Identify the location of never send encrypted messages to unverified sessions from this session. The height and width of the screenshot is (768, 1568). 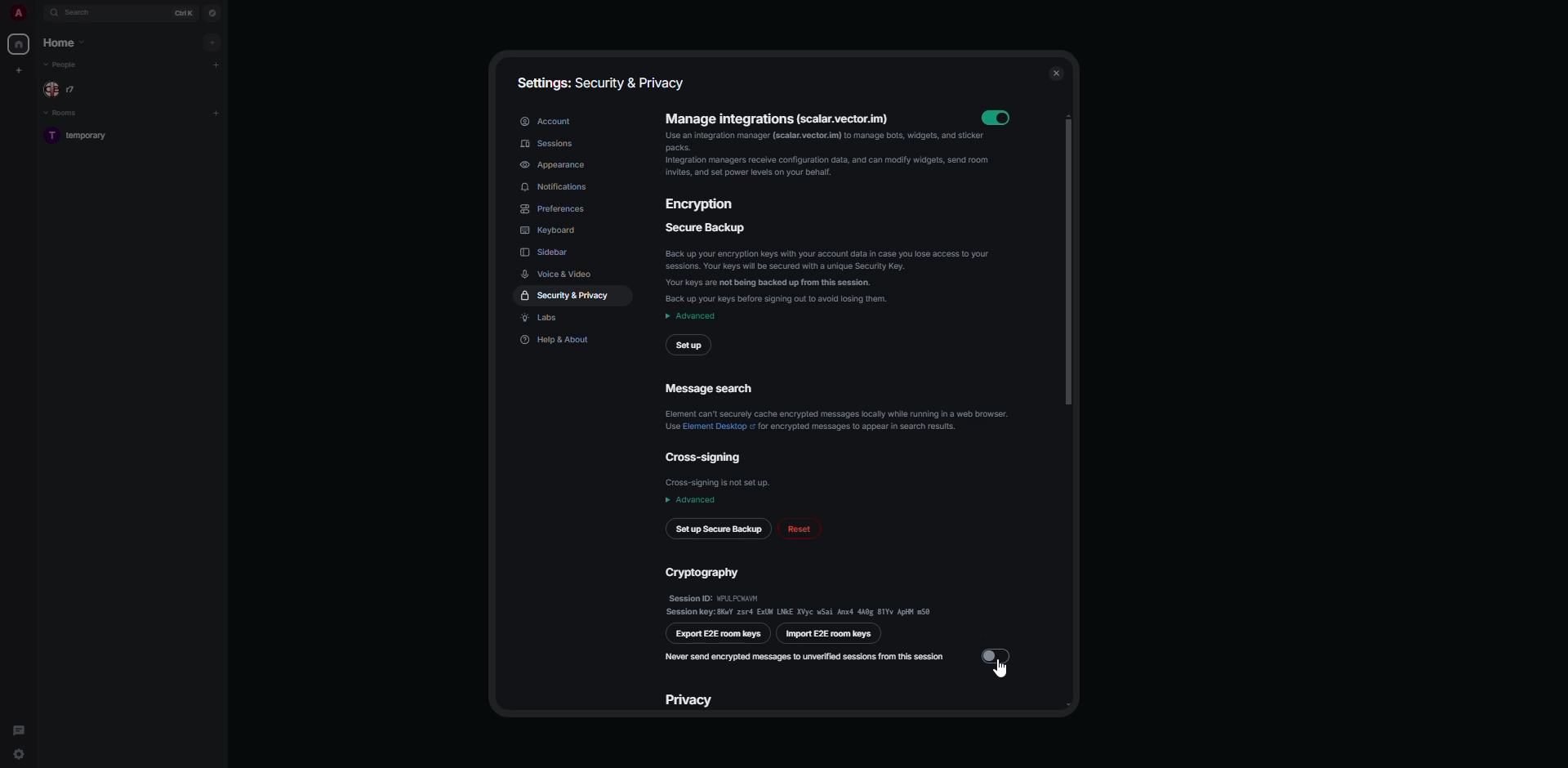
(807, 656).